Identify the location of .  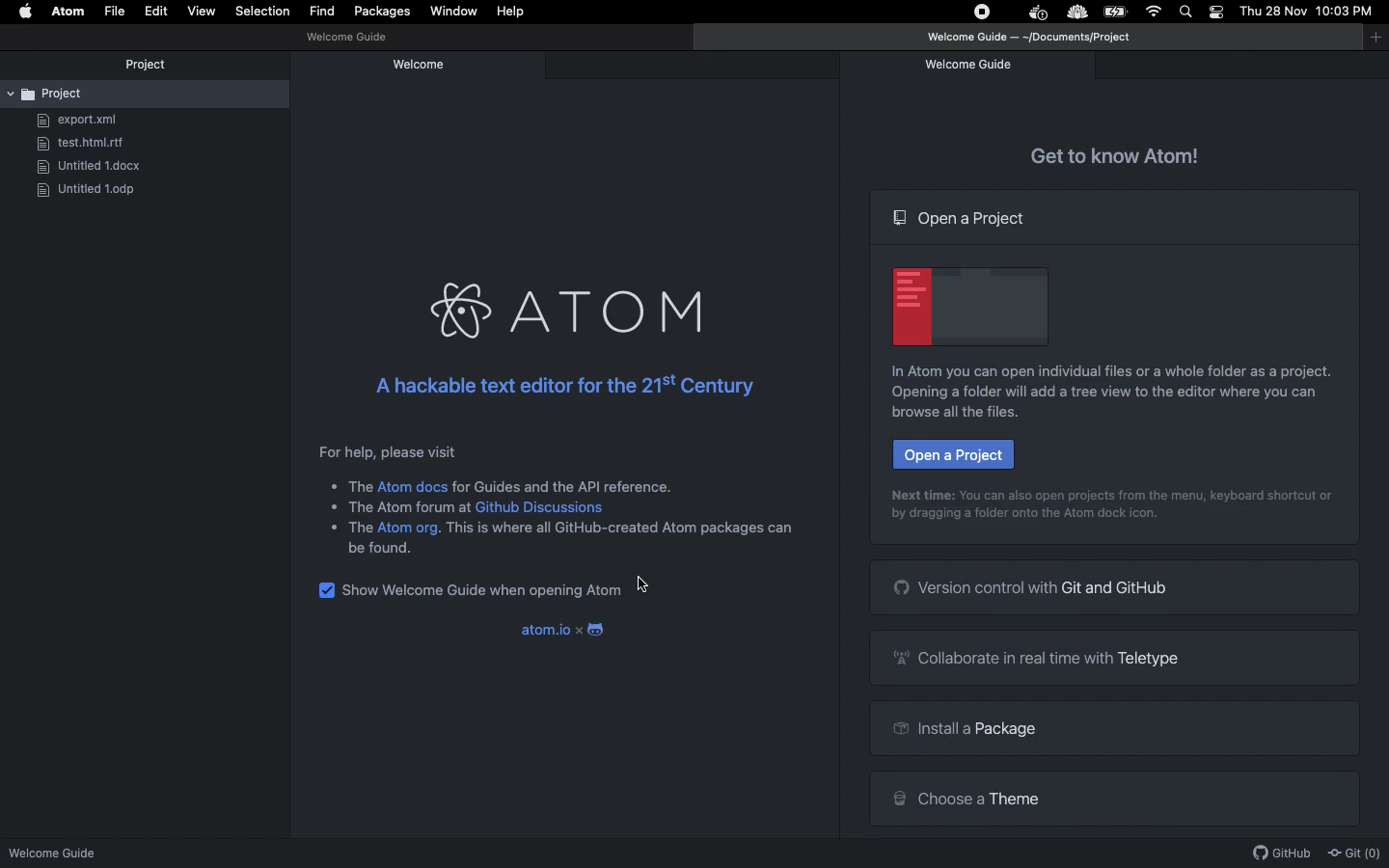
(362, 485).